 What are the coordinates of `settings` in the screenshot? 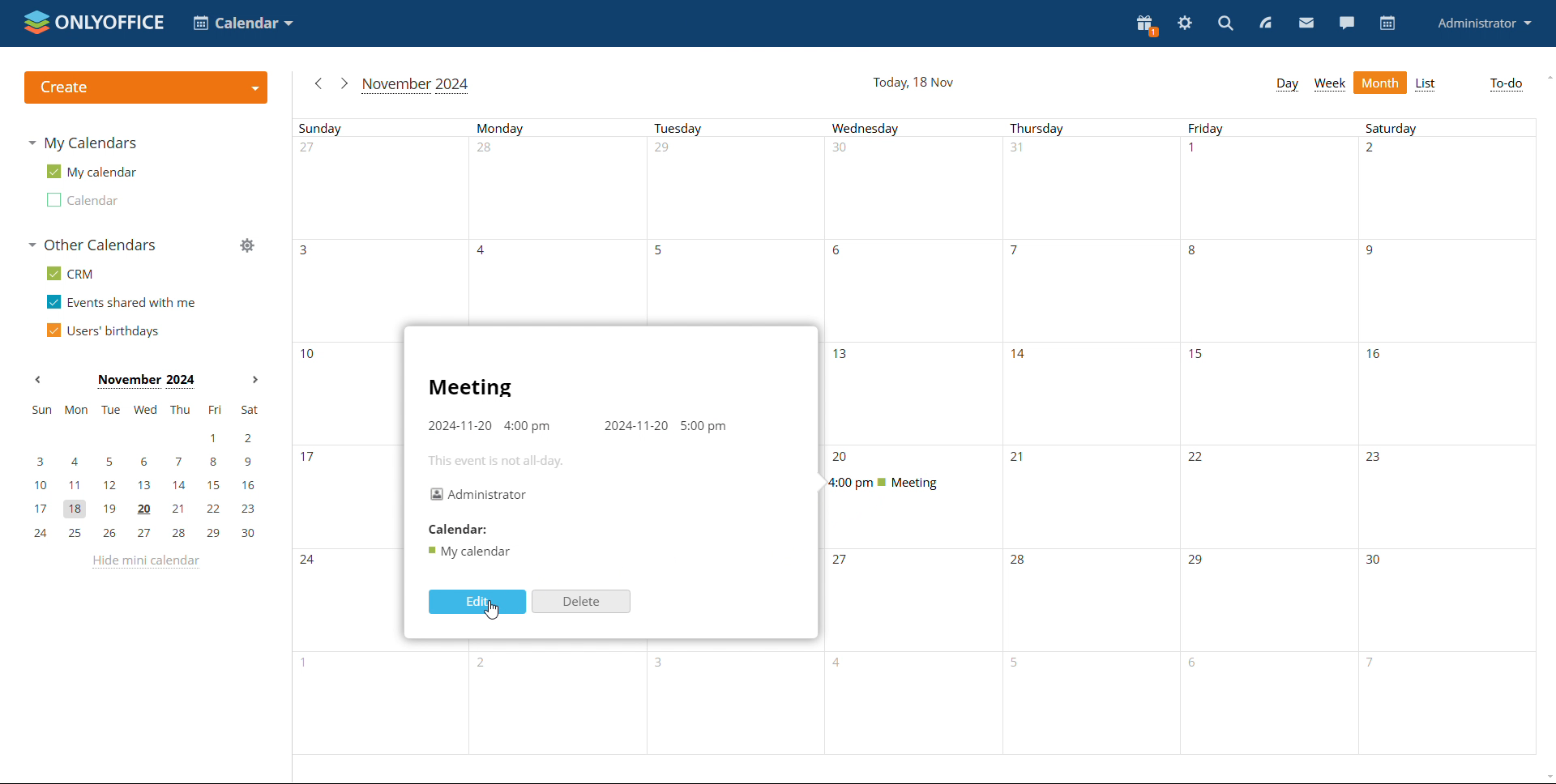 It's located at (1186, 21).